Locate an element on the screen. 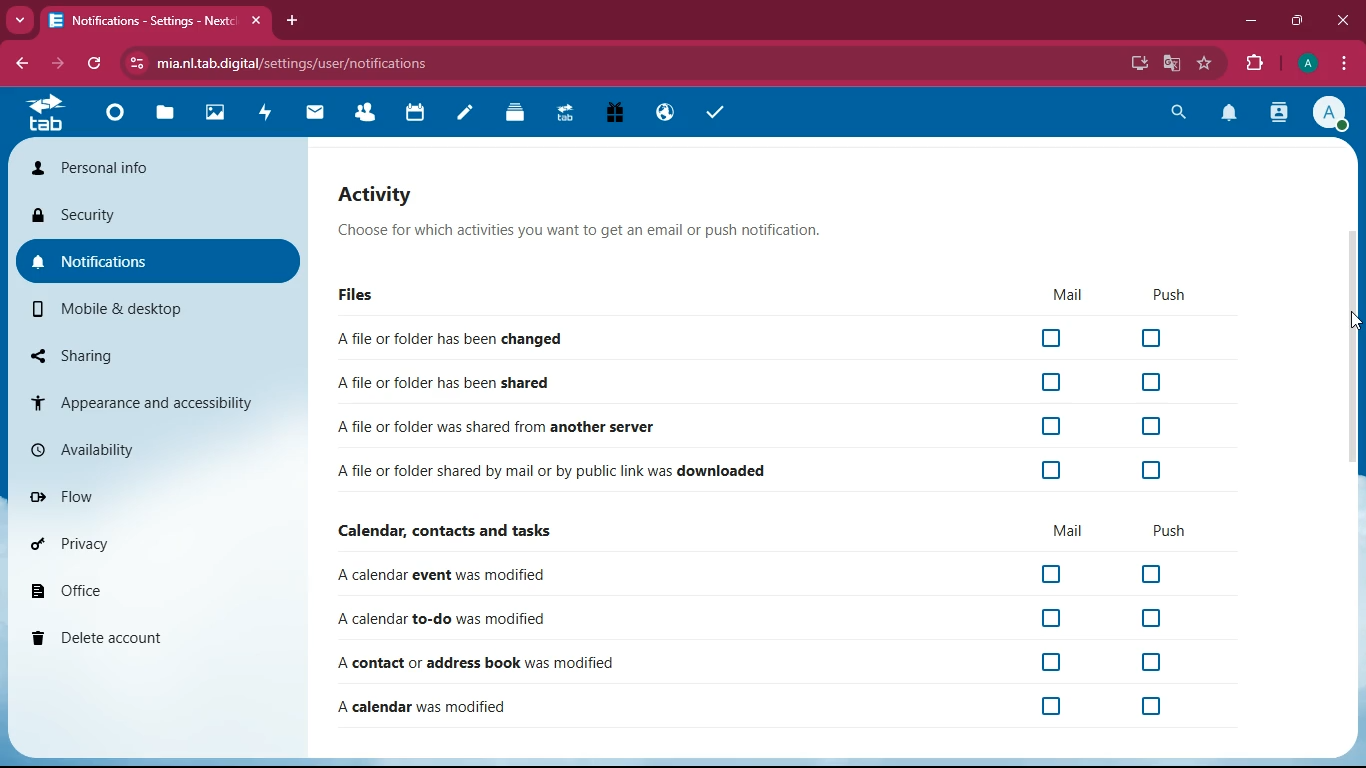 This screenshot has height=768, width=1366. mobile is located at coordinates (157, 312).